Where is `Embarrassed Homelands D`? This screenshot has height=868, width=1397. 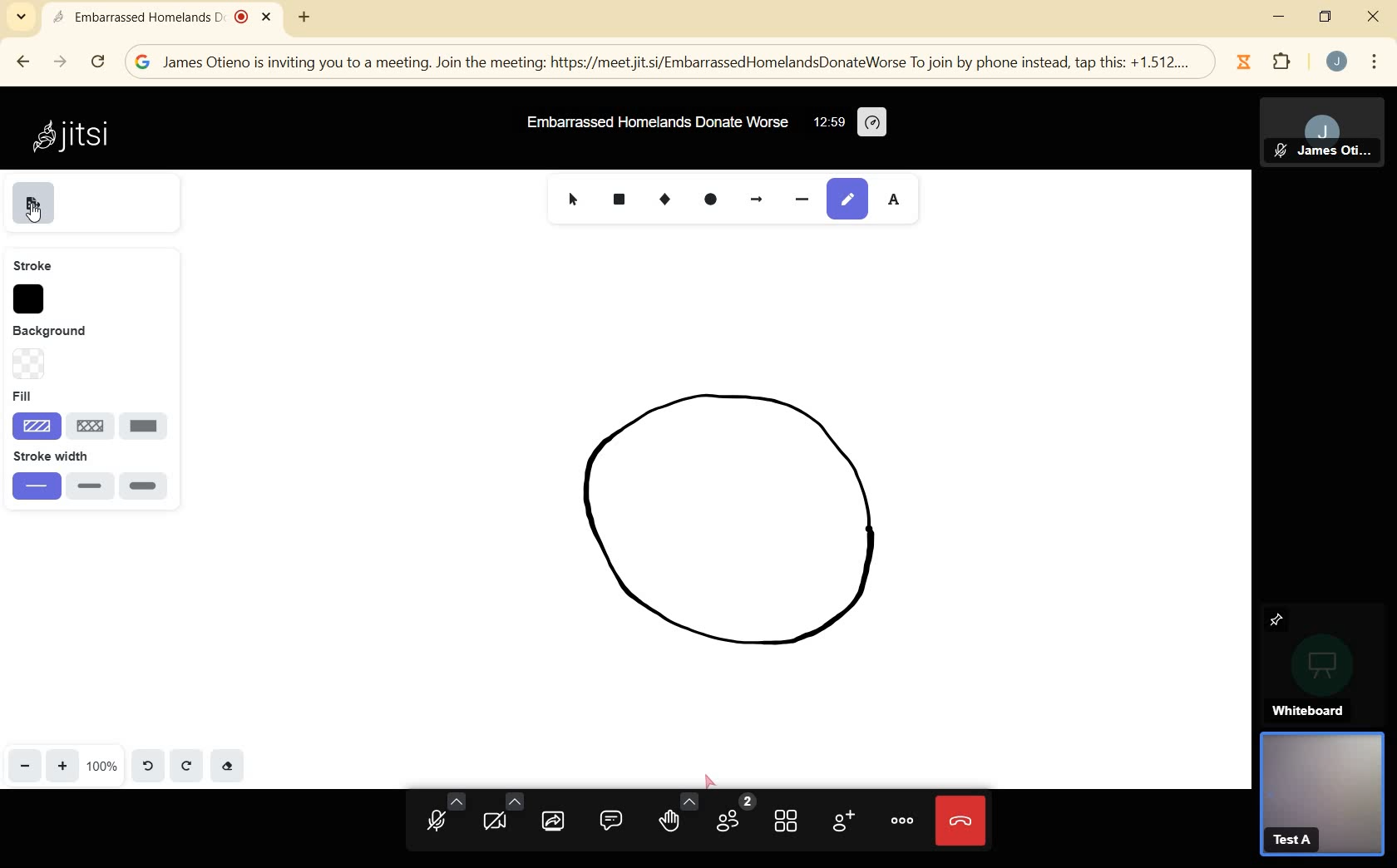 Embarrassed Homelands D is located at coordinates (159, 18).